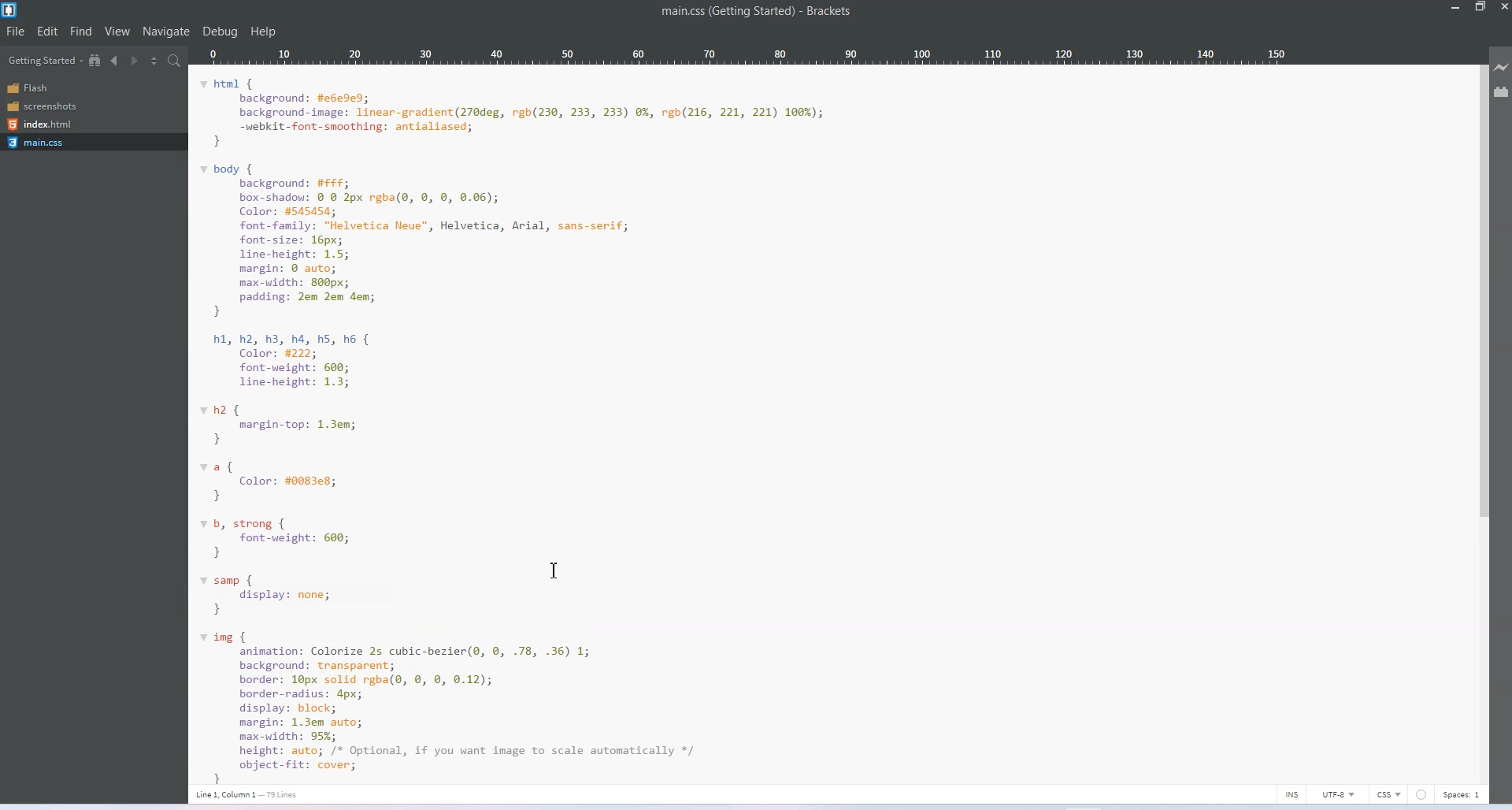  Describe the element at coordinates (48, 31) in the screenshot. I see `Edit` at that location.